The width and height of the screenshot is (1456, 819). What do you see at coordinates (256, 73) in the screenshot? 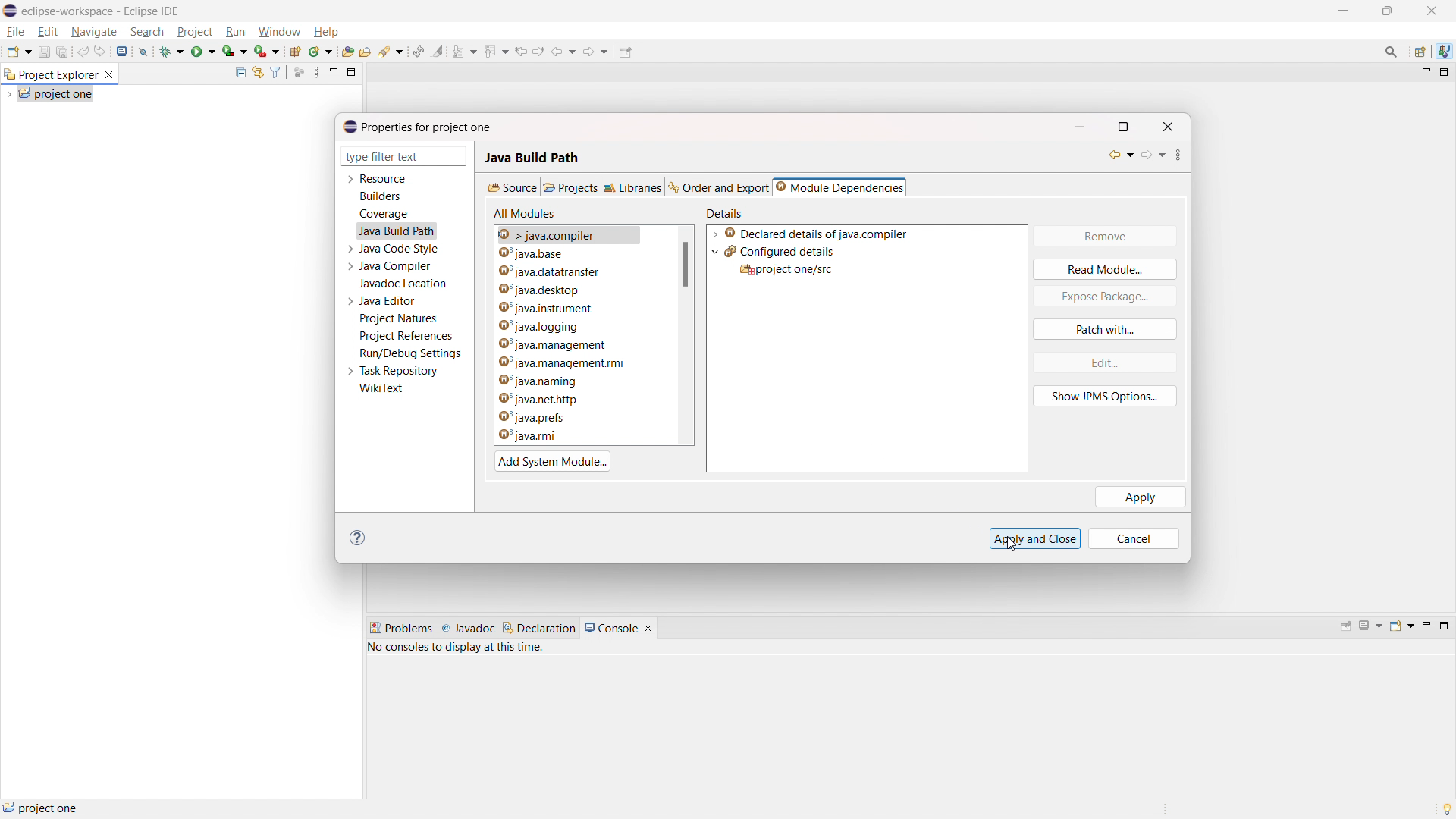
I see `link to editor` at bounding box center [256, 73].